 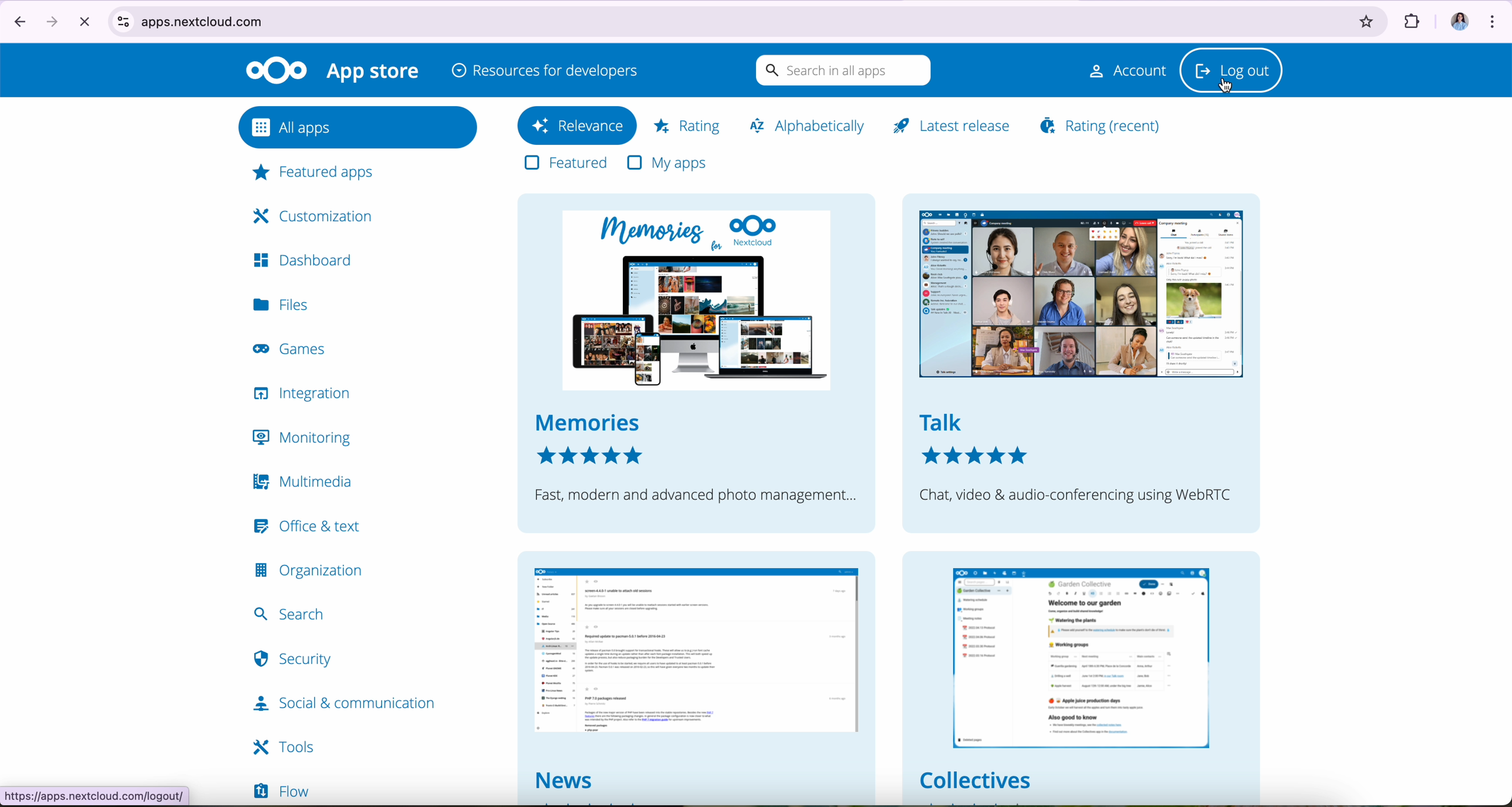 I want to click on customize and control Google Chrome, so click(x=1497, y=21).